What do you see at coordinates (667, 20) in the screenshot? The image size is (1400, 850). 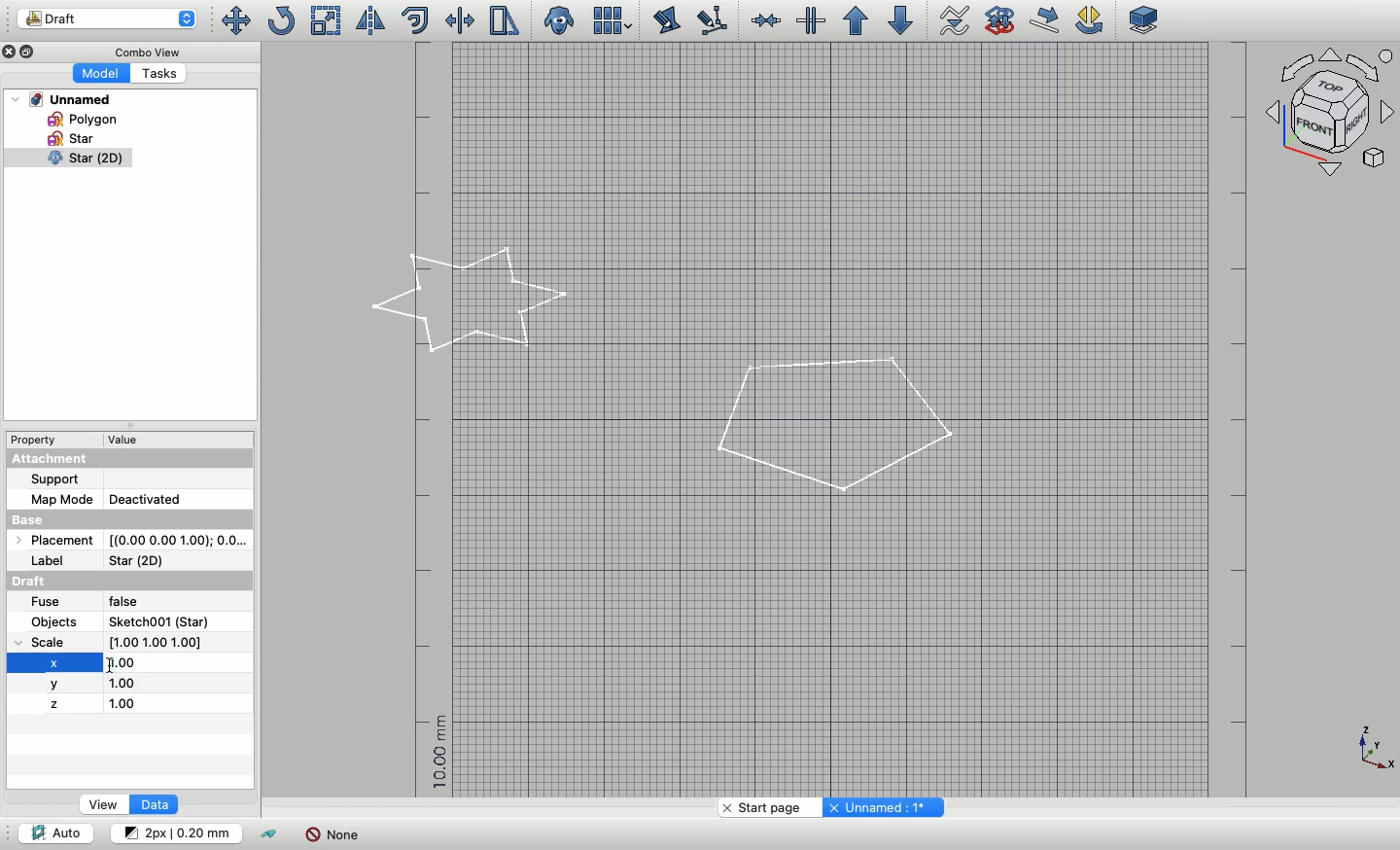 I see `Edit` at bounding box center [667, 20].